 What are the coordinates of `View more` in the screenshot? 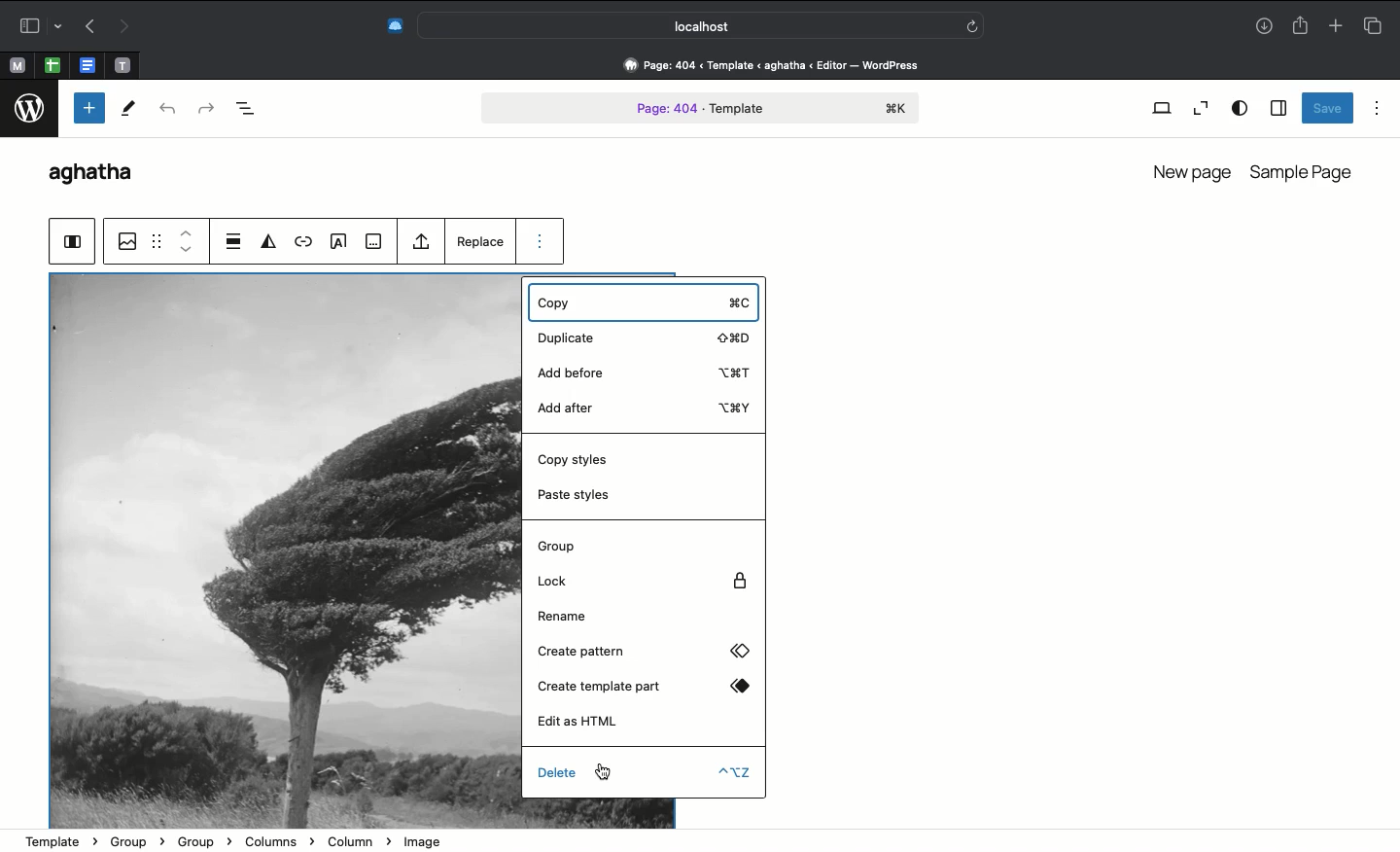 It's located at (375, 242).